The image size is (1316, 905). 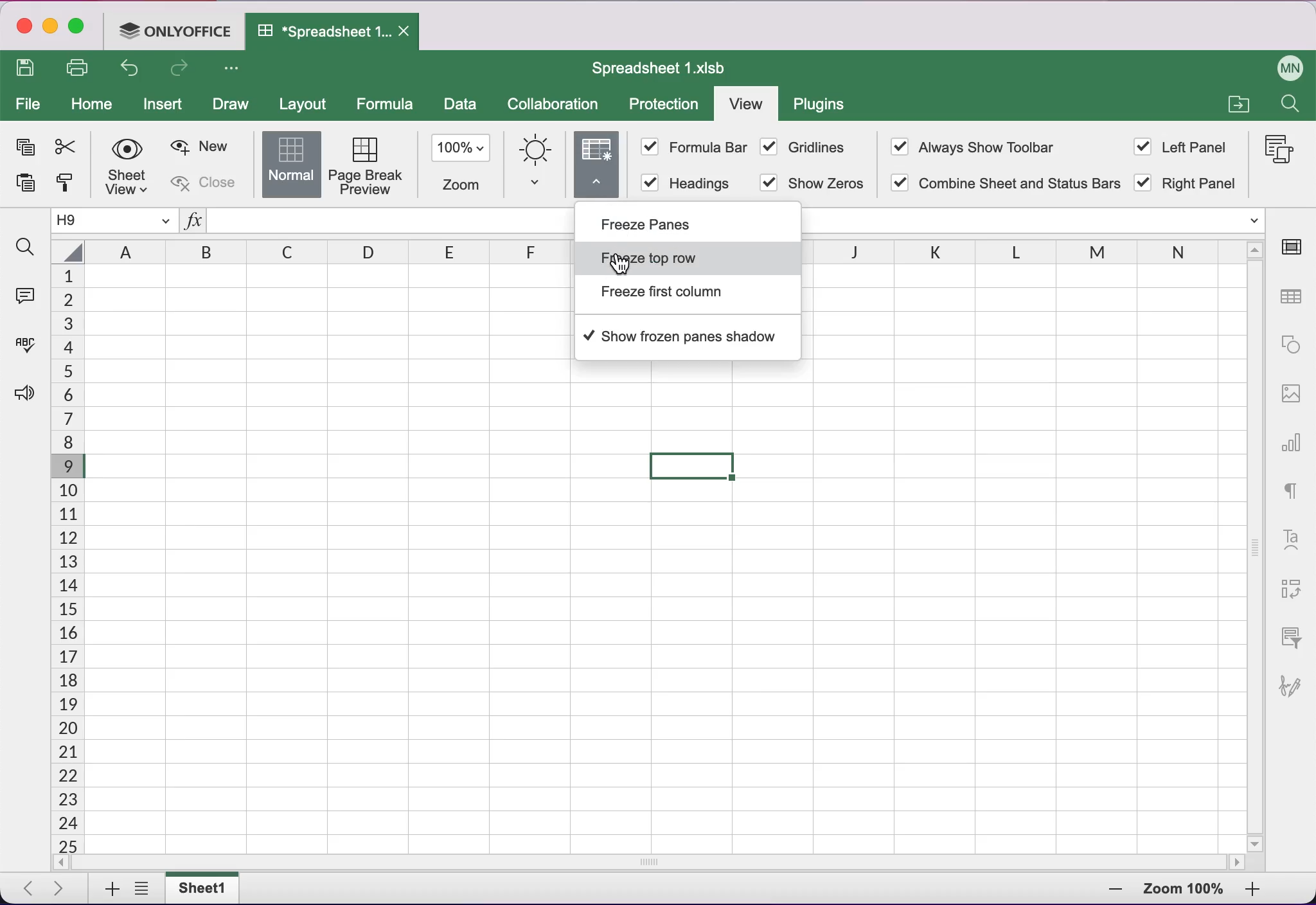 I want to click on spreadsheet title, so click(x=658, y=67).